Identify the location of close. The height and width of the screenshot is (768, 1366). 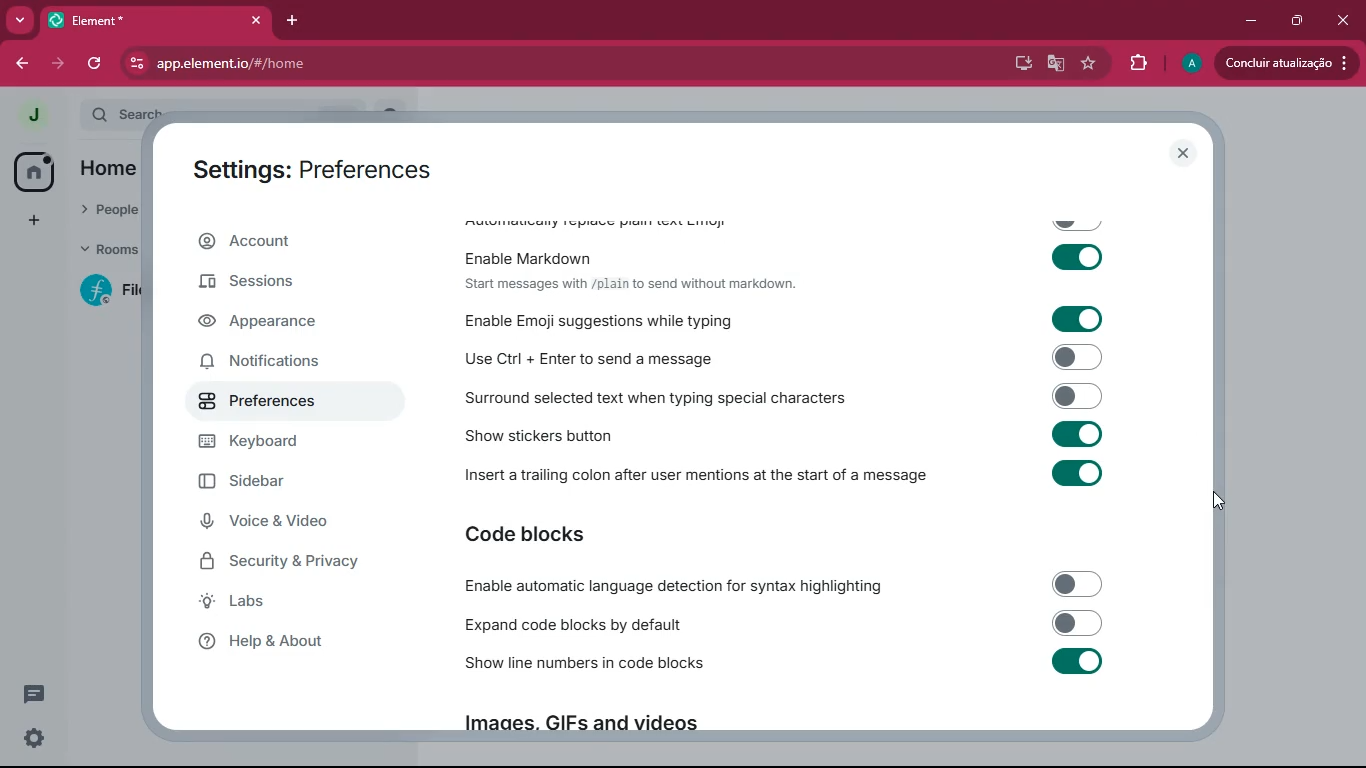
(1345, 20).